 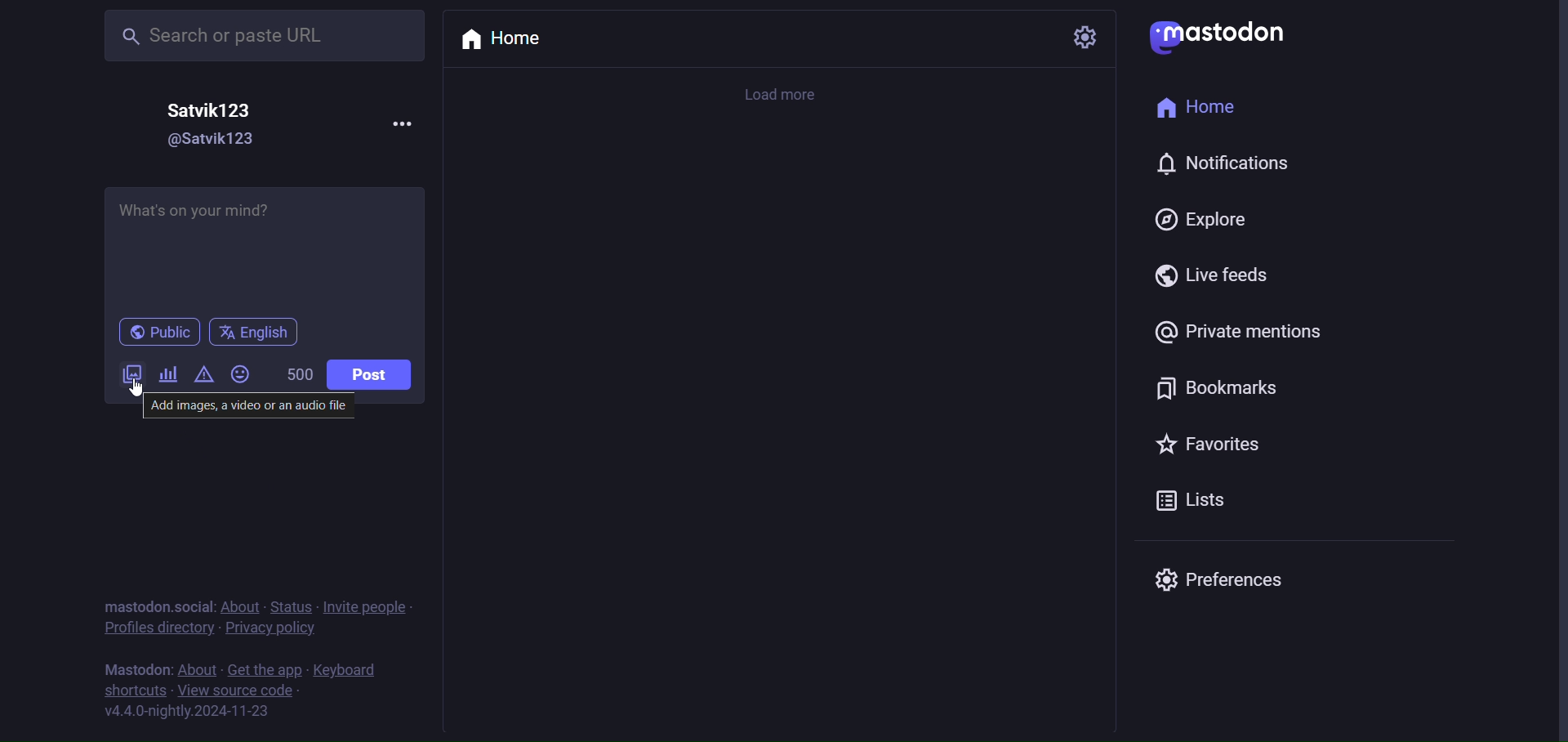 What do you see at coordinates (290, 606) in the screenshot?
I see `status` at bounding box center [290, 606].